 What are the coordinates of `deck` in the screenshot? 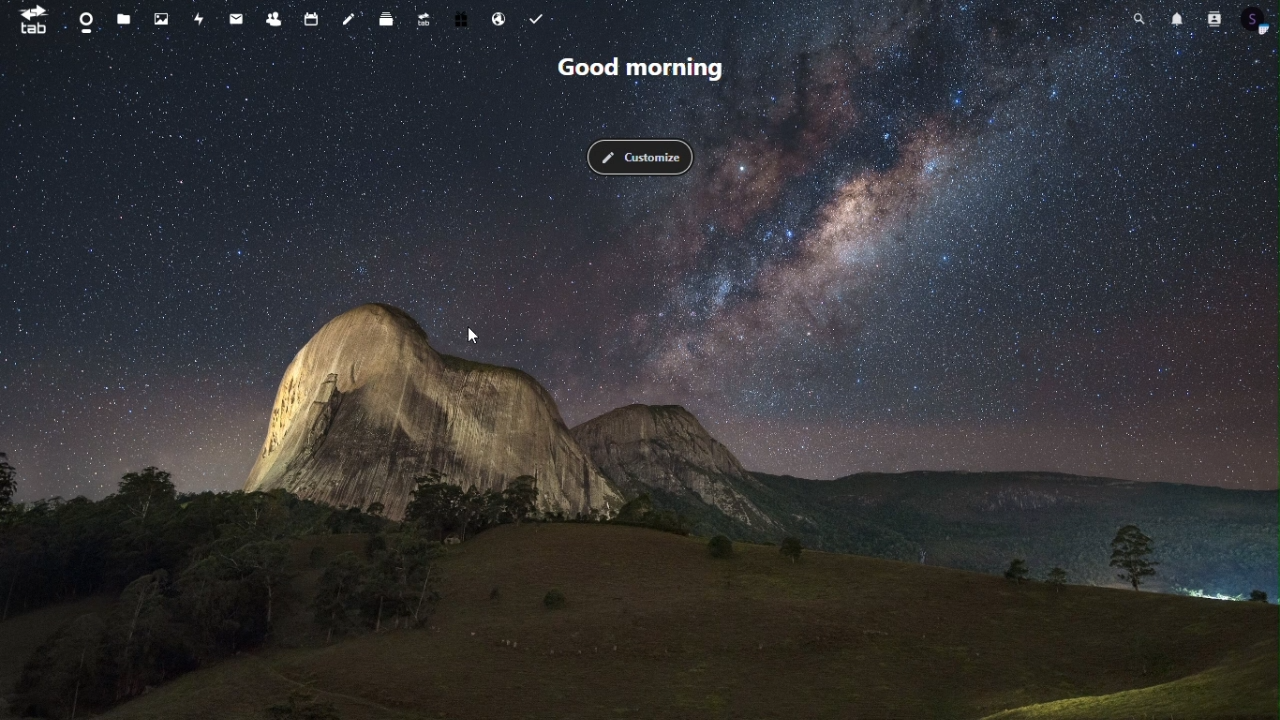 It's located at (386, 22).